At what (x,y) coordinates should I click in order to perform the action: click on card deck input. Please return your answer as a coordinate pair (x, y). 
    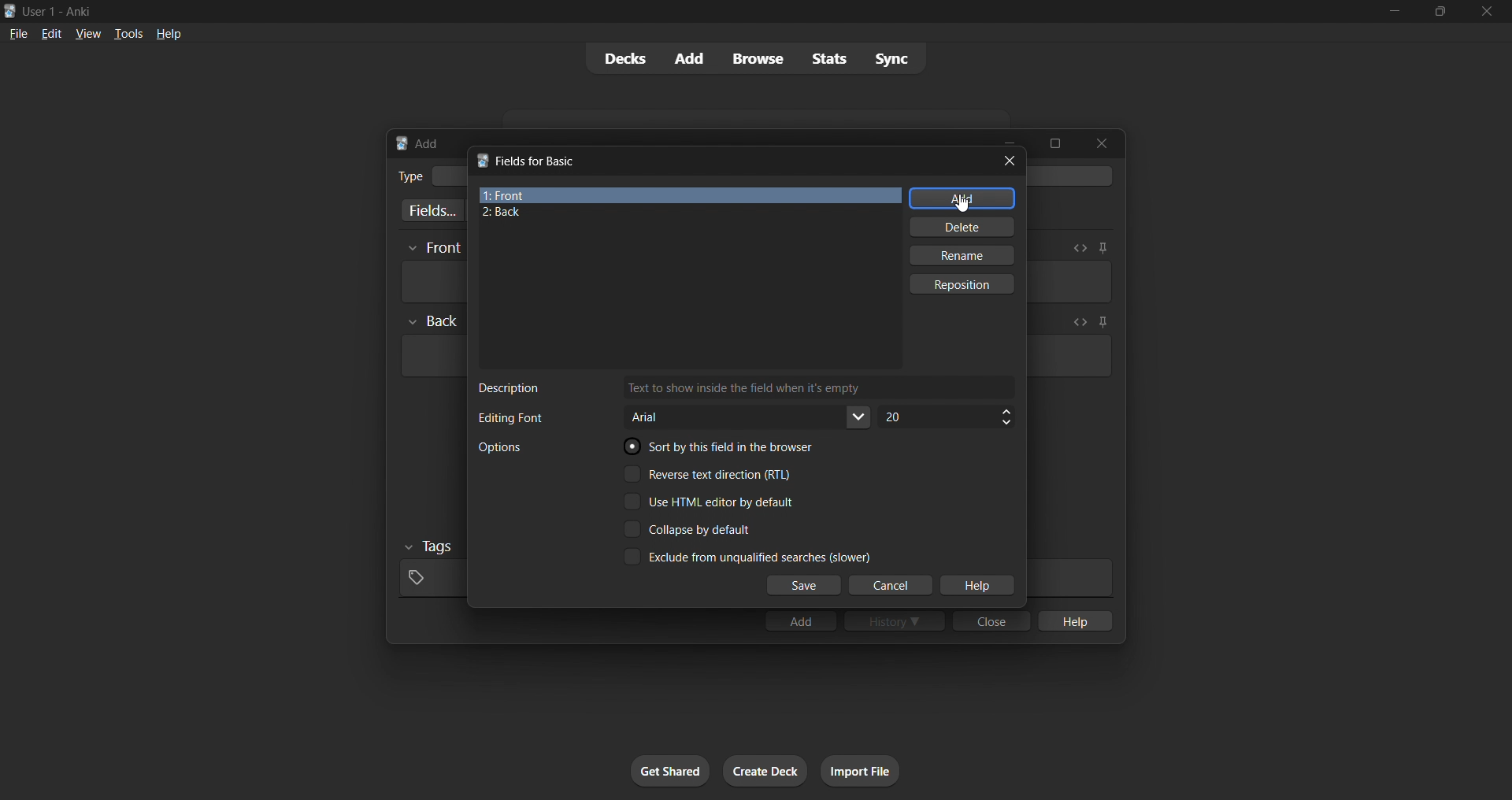
    Looking at the image, I should click on (1073, 176).